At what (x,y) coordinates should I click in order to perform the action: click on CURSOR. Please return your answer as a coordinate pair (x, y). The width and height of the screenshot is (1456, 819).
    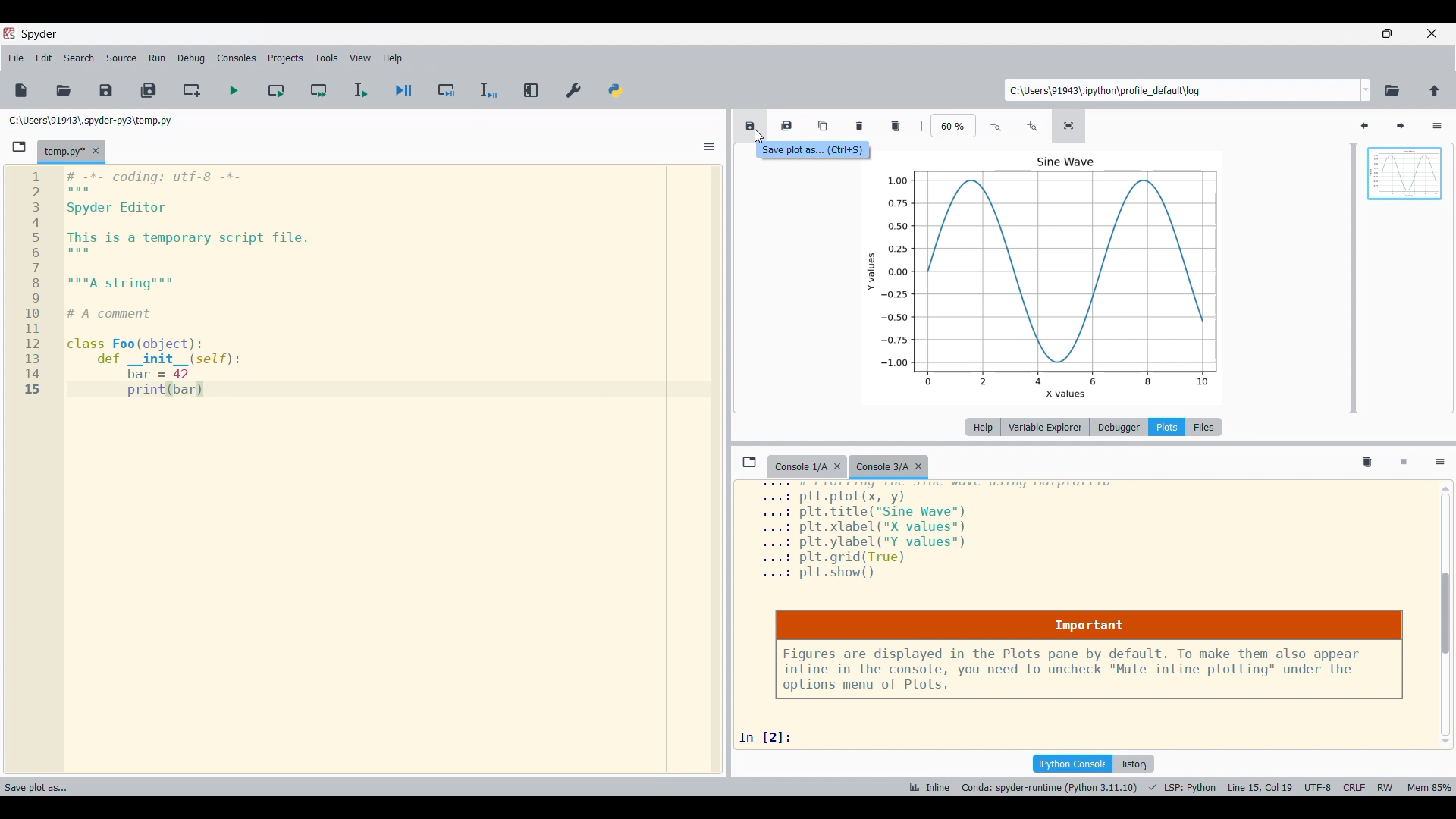
    Looking at the image, I should click on (758, 134).